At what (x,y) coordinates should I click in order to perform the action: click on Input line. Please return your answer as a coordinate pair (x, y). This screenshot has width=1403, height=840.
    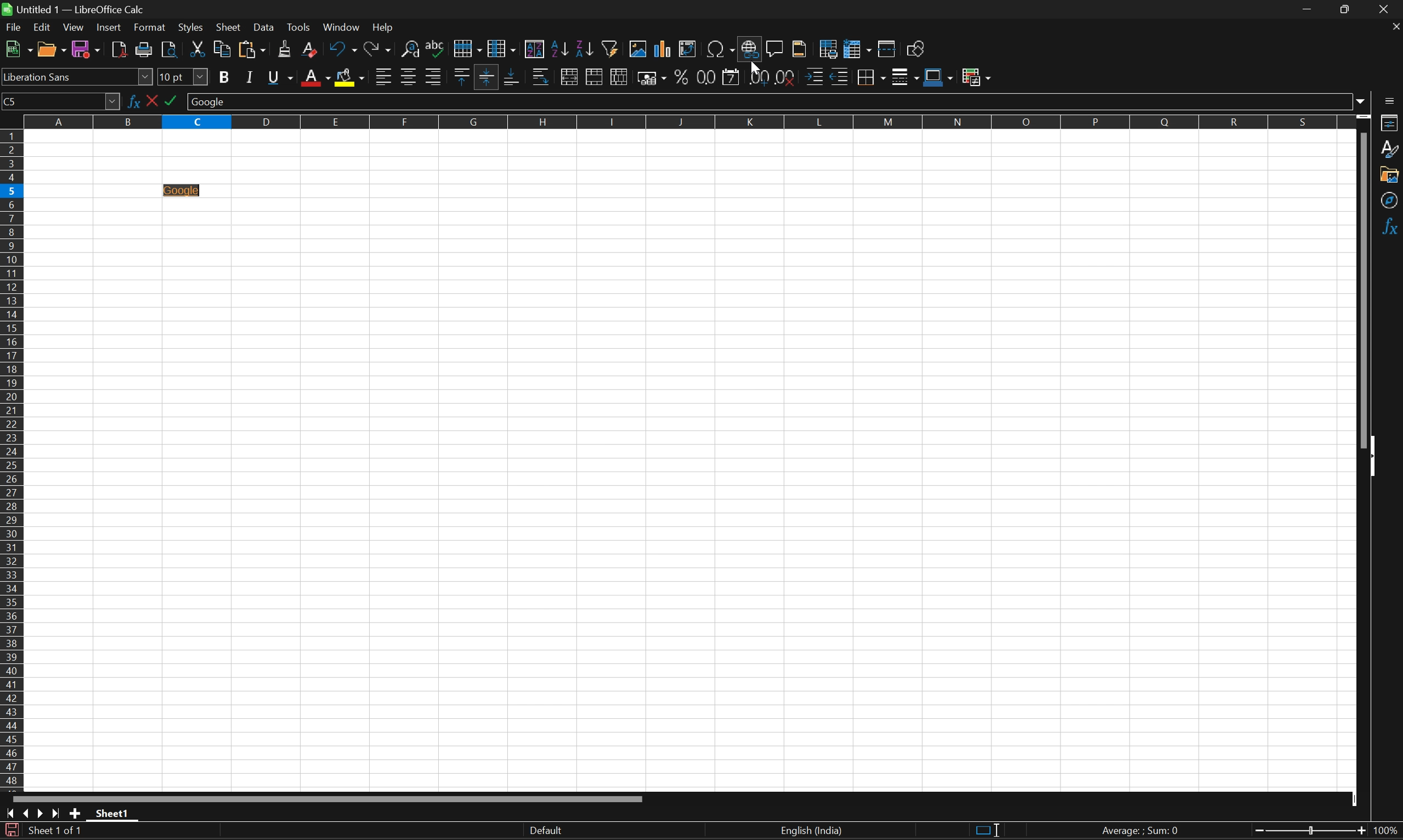
    Looking at the image, I should click on (770, 101).